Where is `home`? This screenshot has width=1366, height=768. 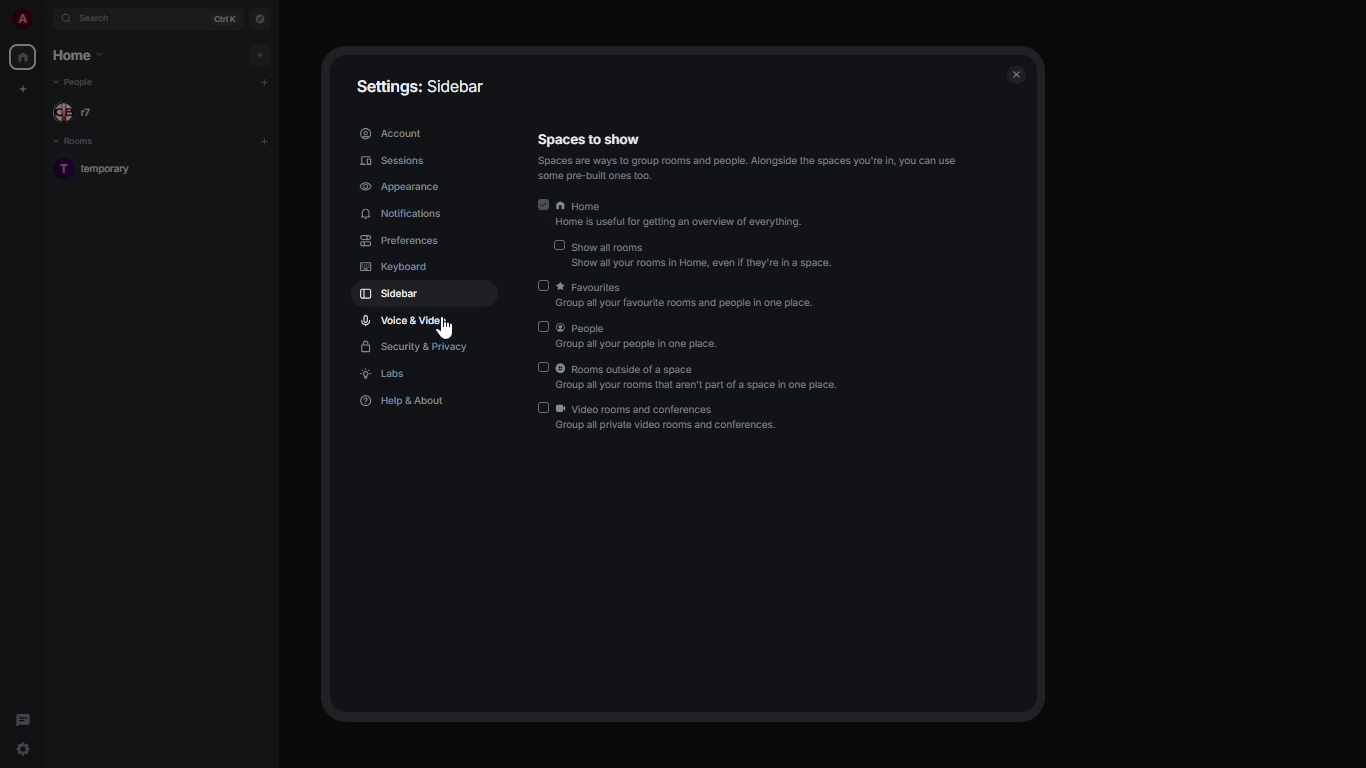
home is located at coordinates (77, 56).